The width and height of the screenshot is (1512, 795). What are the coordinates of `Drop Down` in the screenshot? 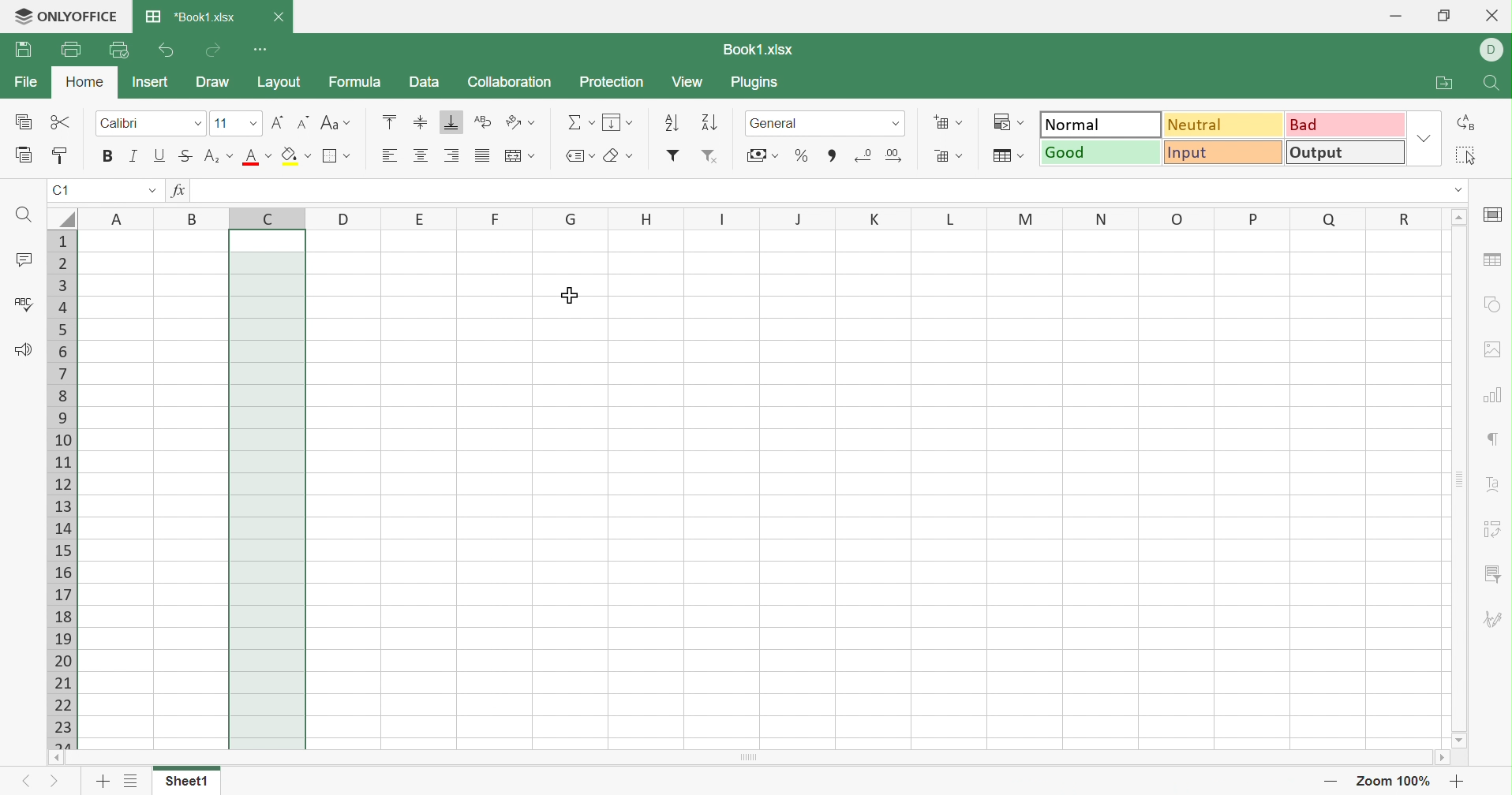 It's located at (268, 155).